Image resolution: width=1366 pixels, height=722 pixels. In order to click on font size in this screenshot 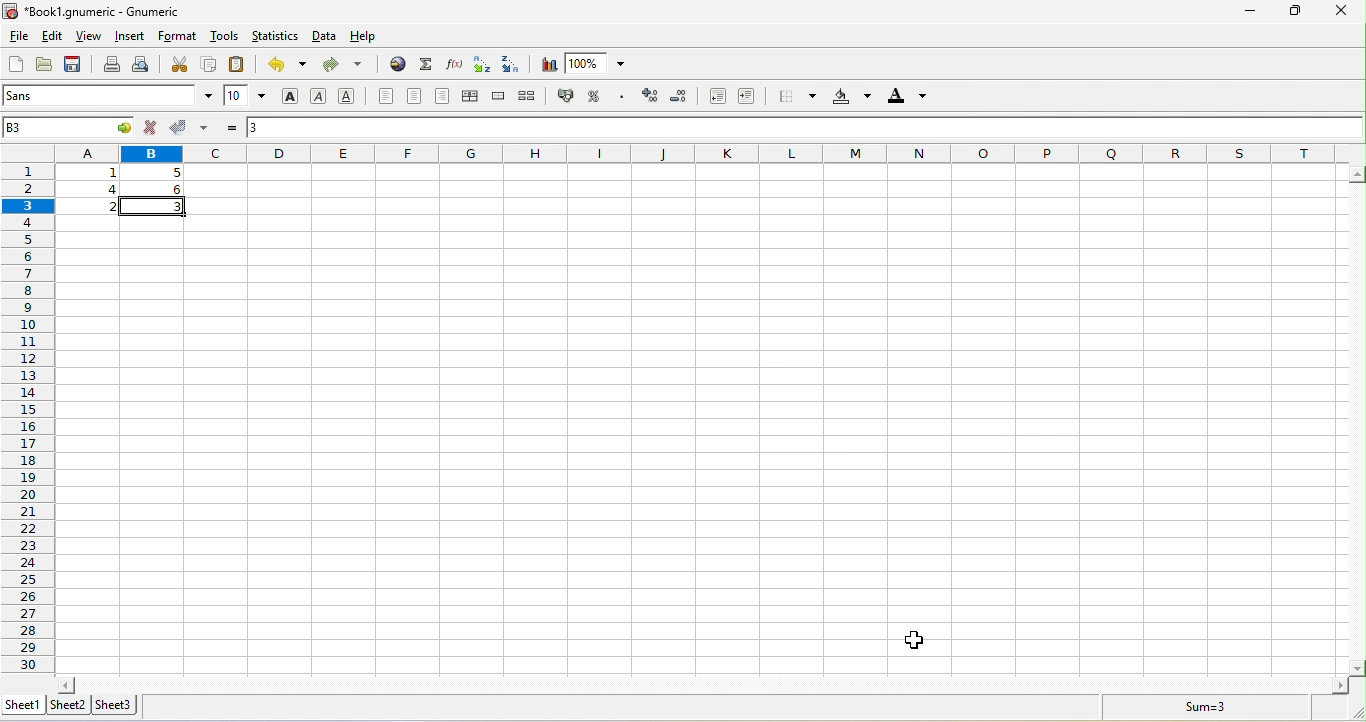, I will do `click(244, 97)`.